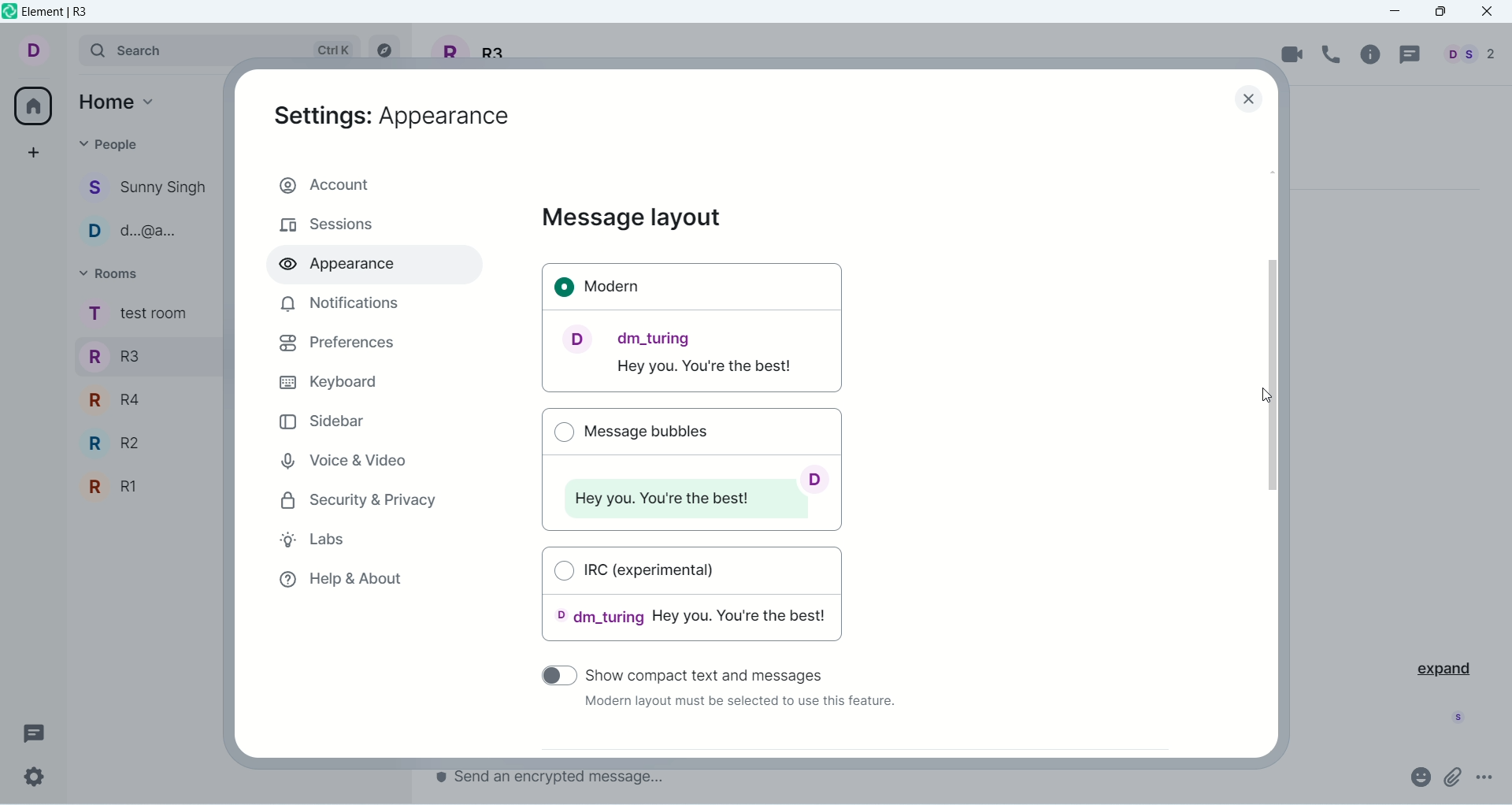 This screenshot has height=805, width=1512. Describe the element at coordinates (360, 502) in the screenshot. I see `security and privacy` at that location.